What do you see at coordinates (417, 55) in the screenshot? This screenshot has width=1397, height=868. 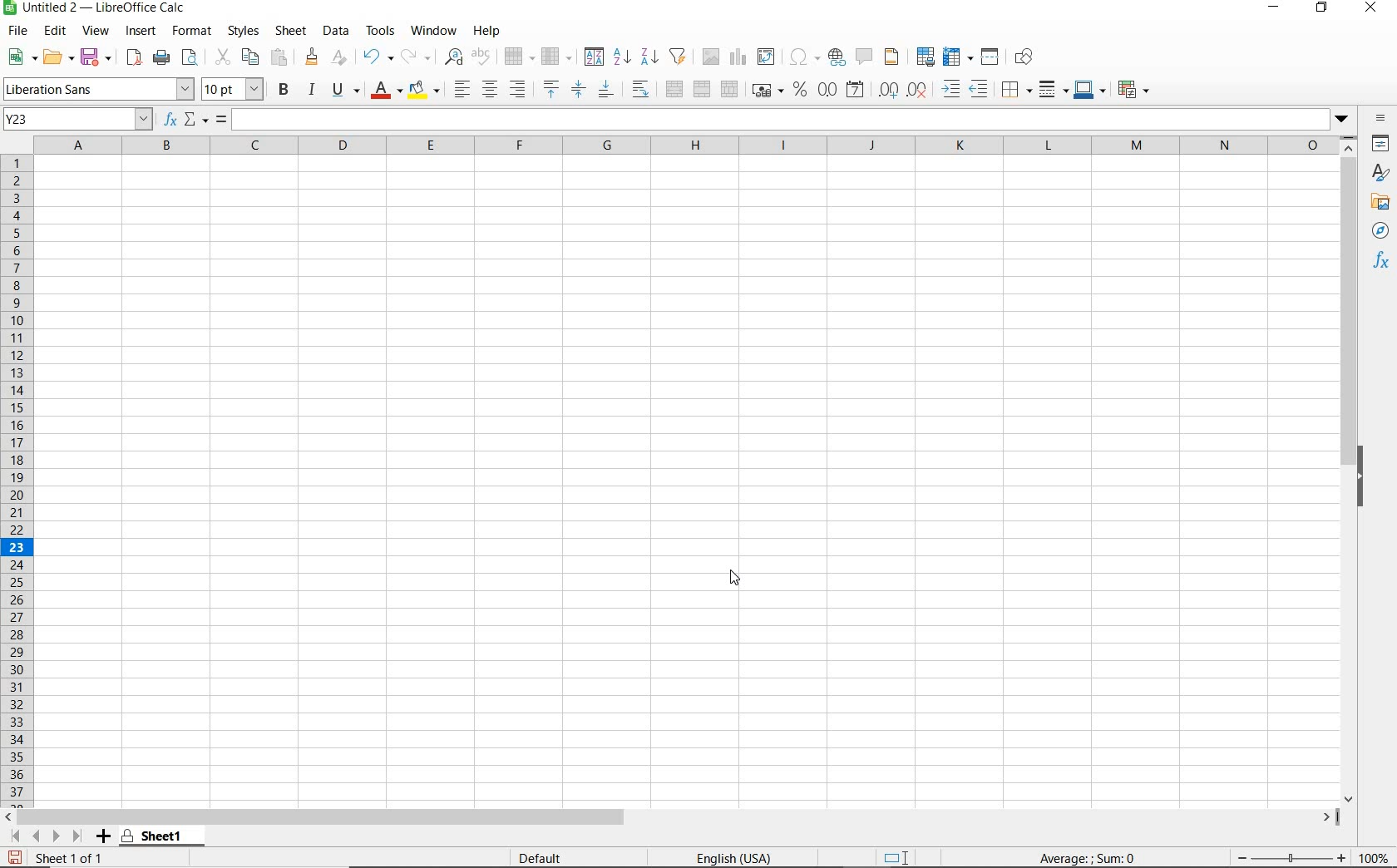 I see `REDO` at bounding box center [417, 55].